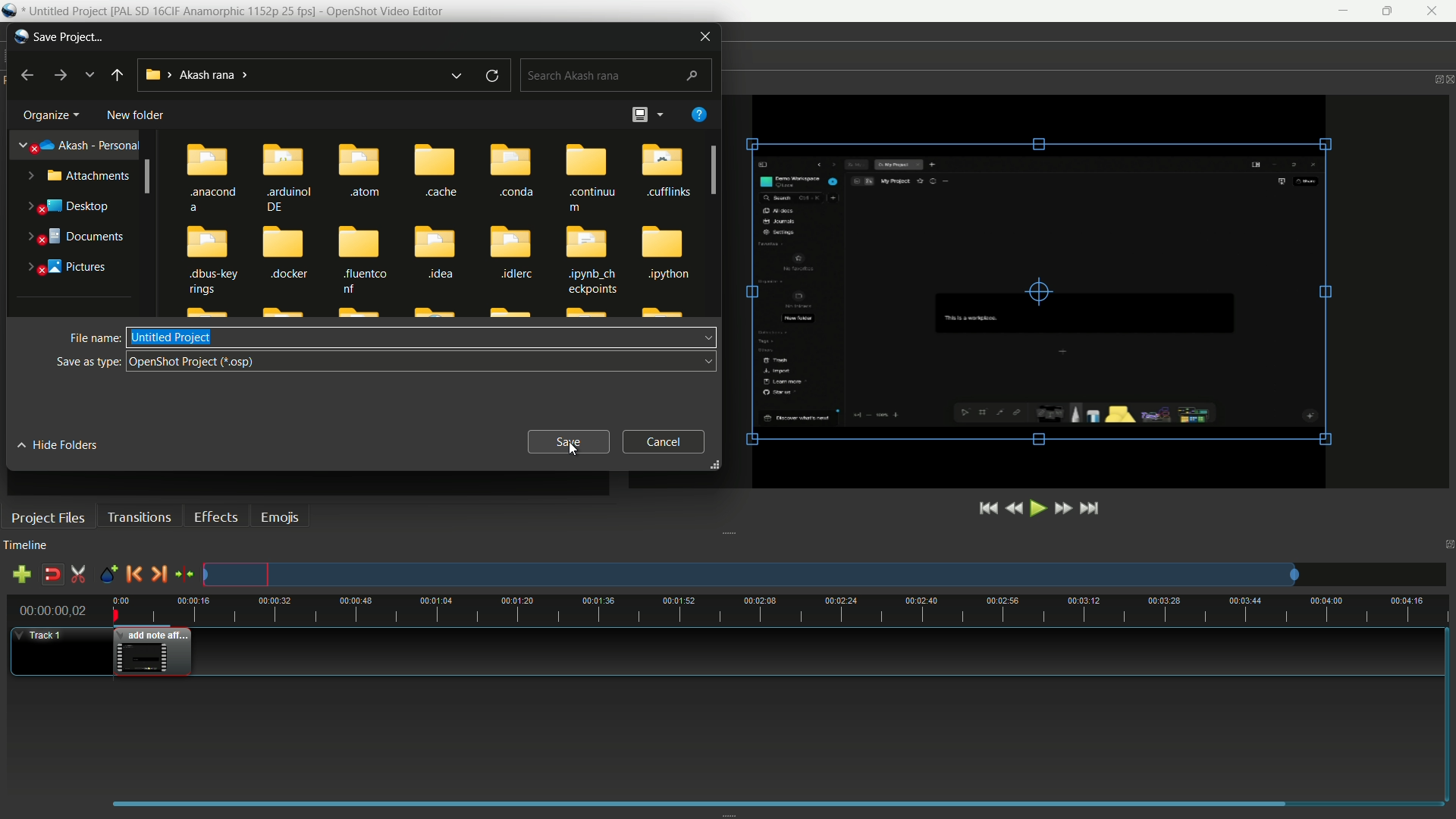  What do you see at coordinates (78, 576) in the screenshot?
I see `enable razor` at bounding box center [78, 576].